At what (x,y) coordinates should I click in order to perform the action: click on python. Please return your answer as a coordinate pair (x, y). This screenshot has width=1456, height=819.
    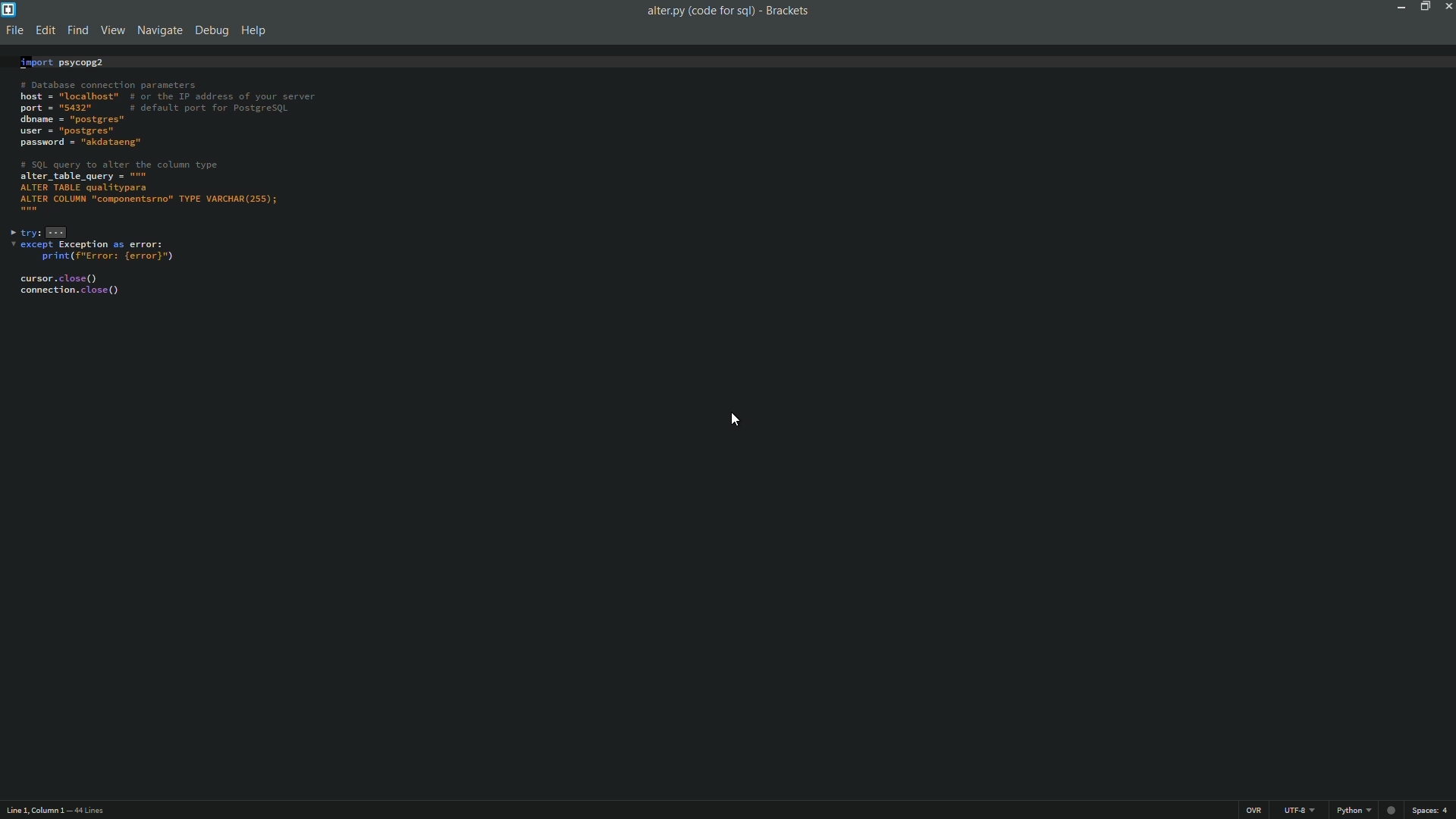
    Looking at the image, I should click on (1349, 810).